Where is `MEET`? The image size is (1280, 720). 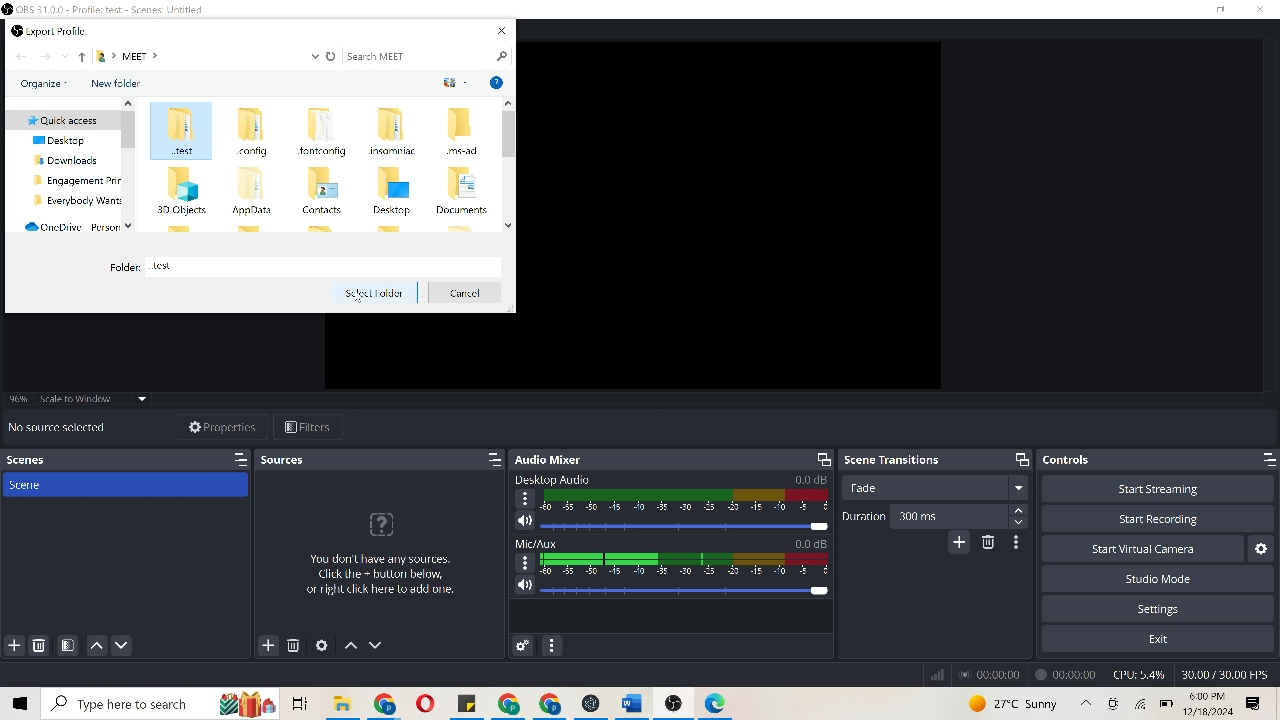
MEET is located at coordinates (140, 57).